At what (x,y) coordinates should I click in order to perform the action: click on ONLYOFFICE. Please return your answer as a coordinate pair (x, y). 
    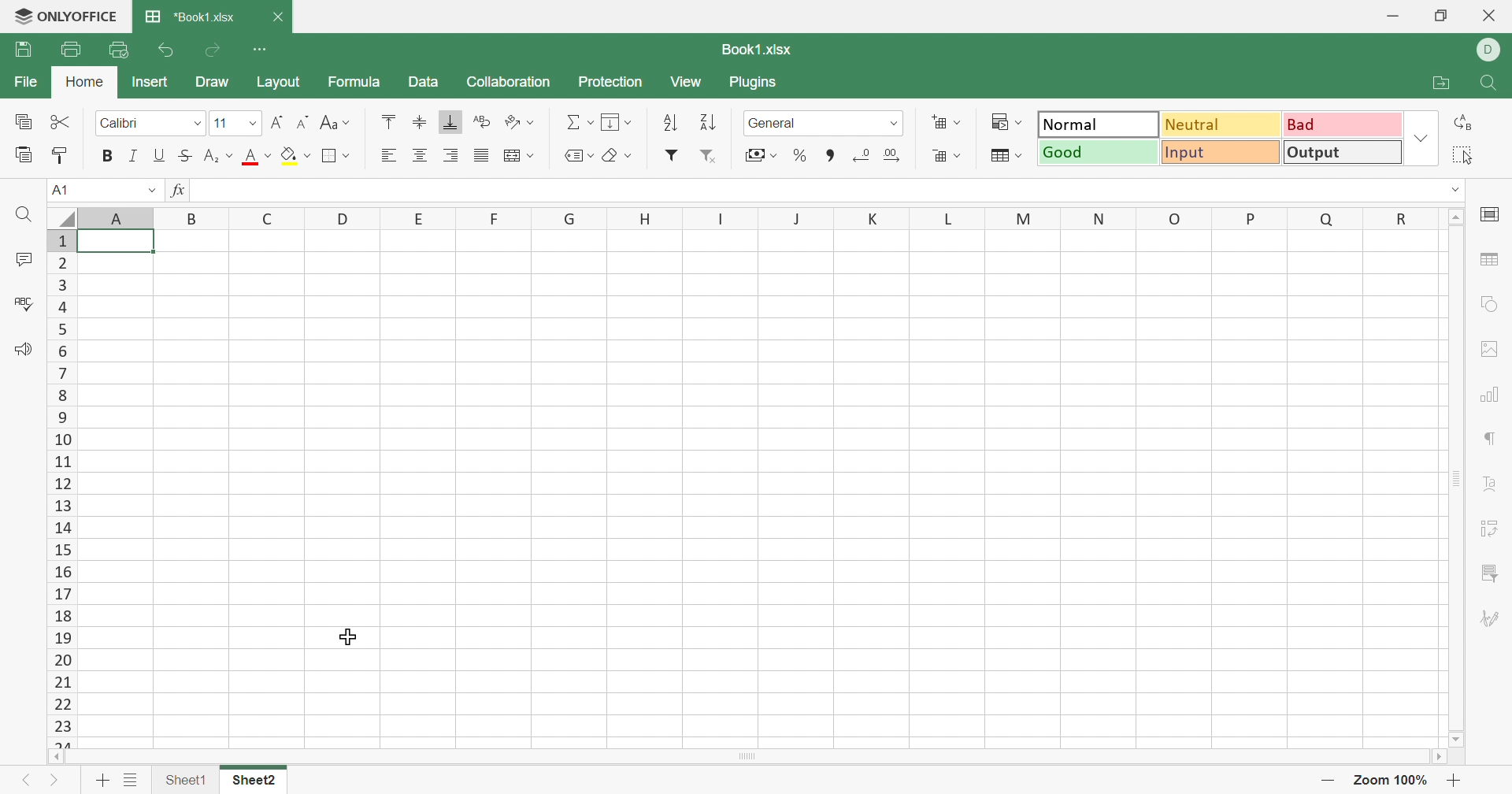
    Looking at the image, I should click on (67, 17).